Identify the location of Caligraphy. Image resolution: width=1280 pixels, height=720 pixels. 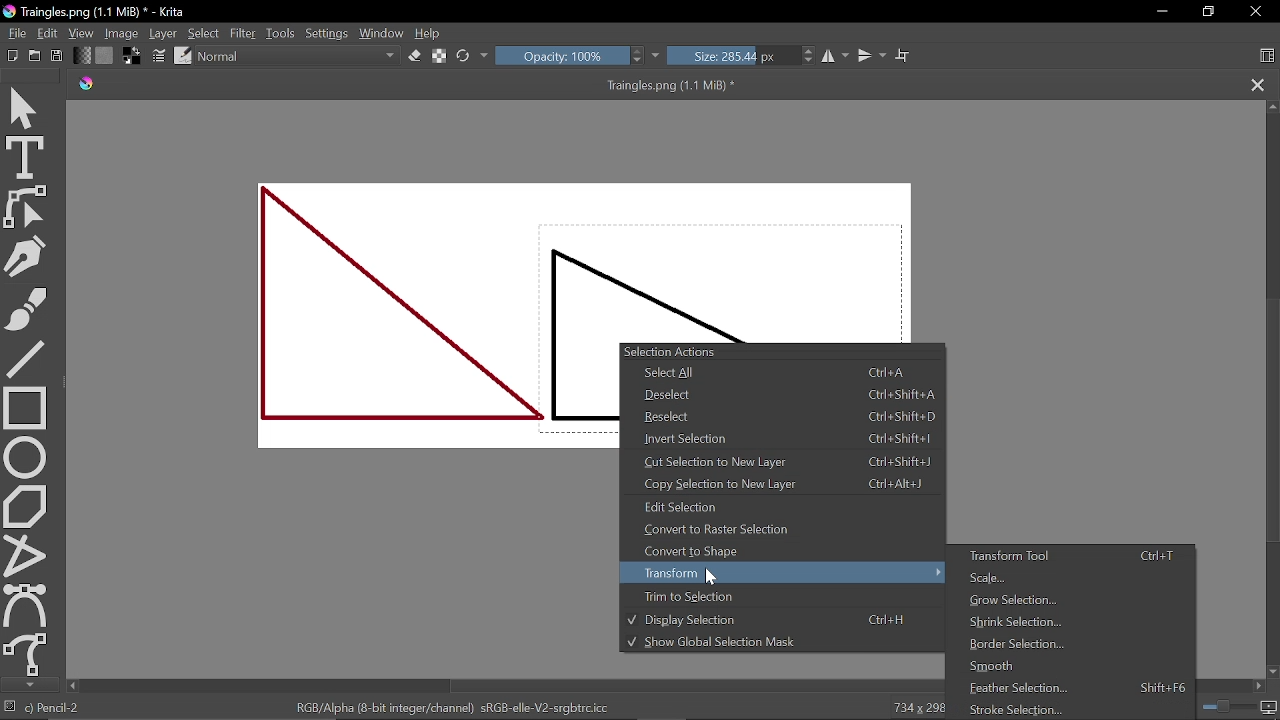
(26, 254).